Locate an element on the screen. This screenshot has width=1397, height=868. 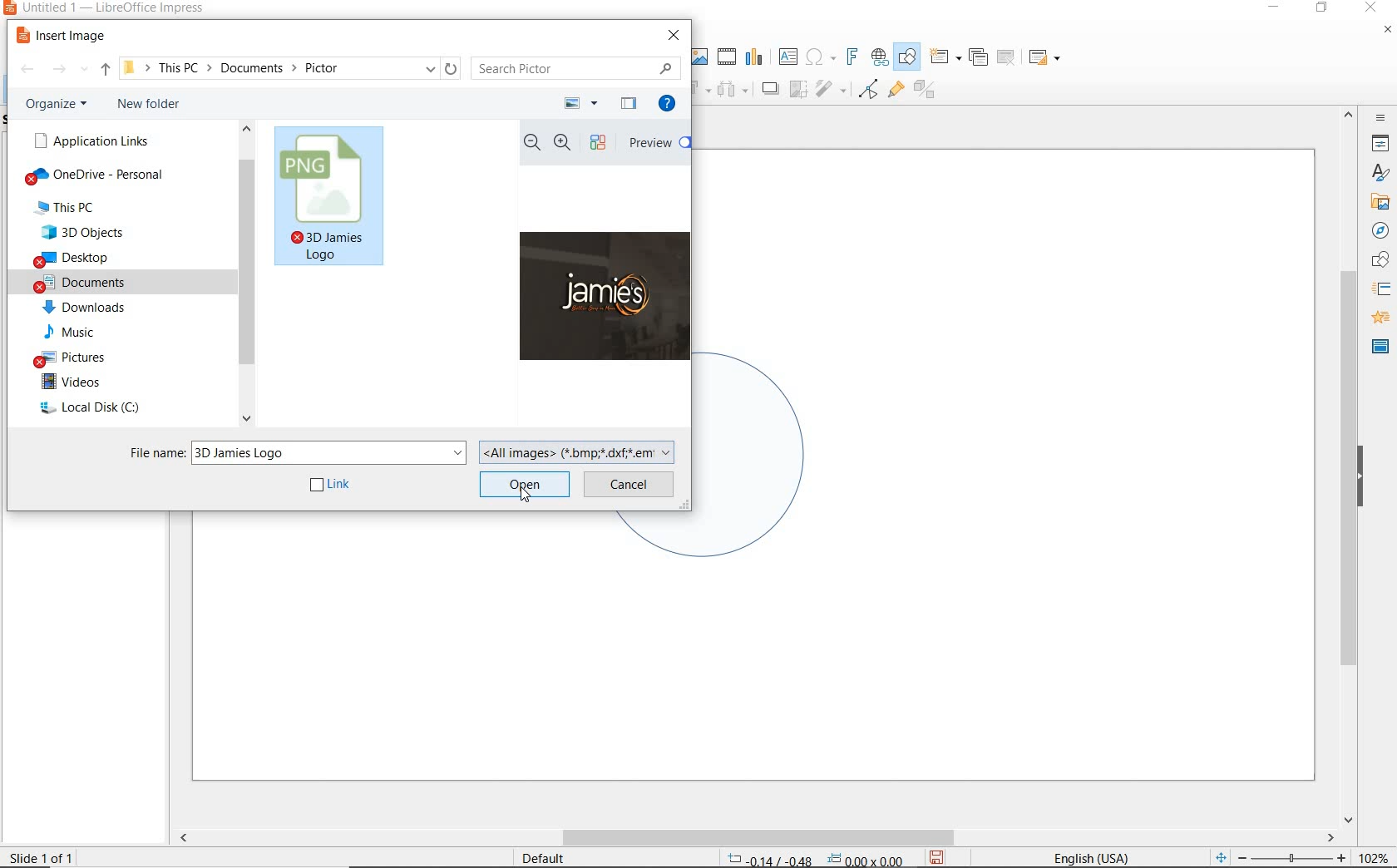
toggle extrusion is located at coordinates (929, 91).